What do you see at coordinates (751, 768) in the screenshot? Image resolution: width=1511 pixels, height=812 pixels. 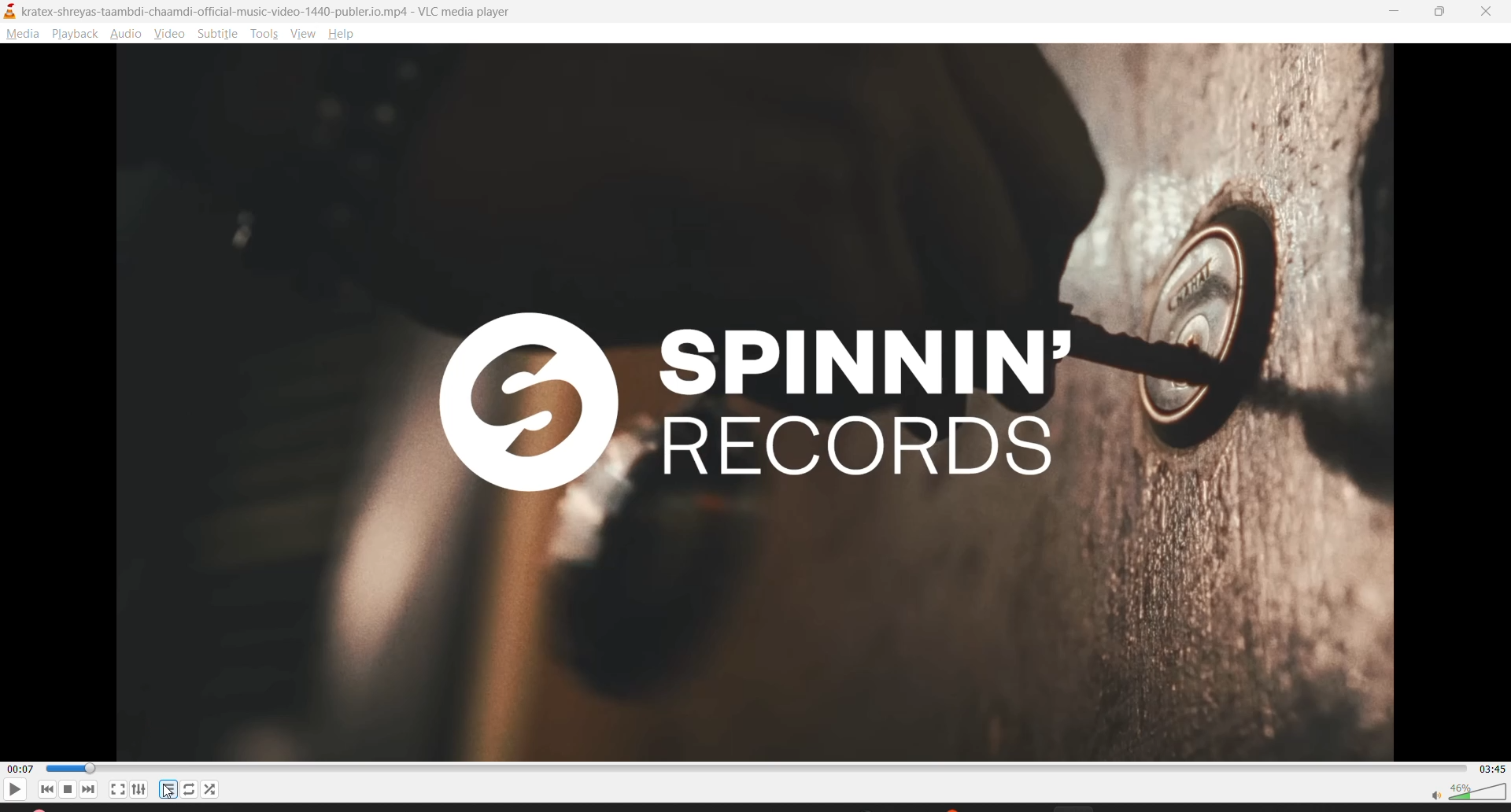 I see `track slider` at bounding box center [751, 768].